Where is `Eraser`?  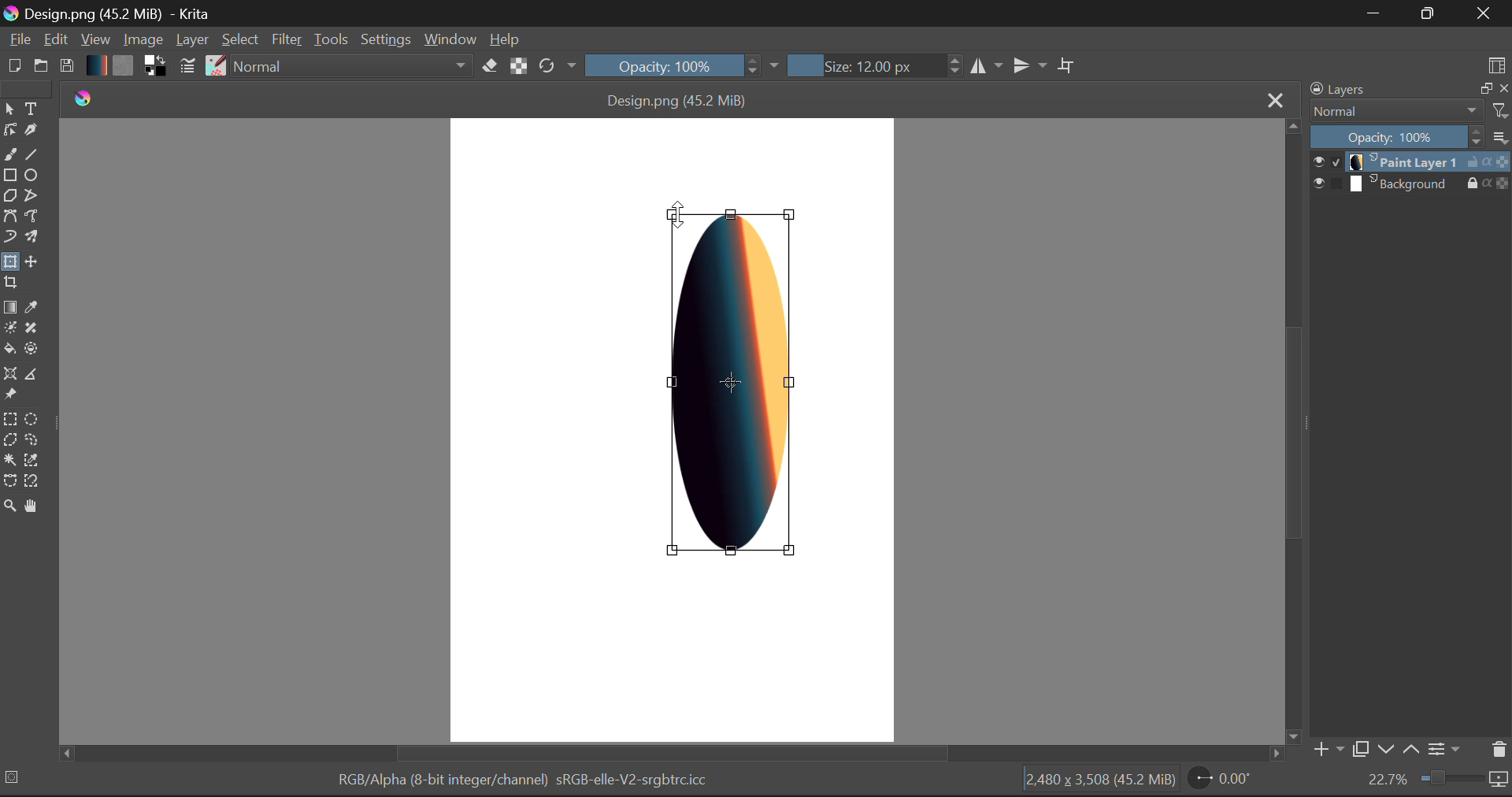
Eraser is located at coordinates (491, 65).